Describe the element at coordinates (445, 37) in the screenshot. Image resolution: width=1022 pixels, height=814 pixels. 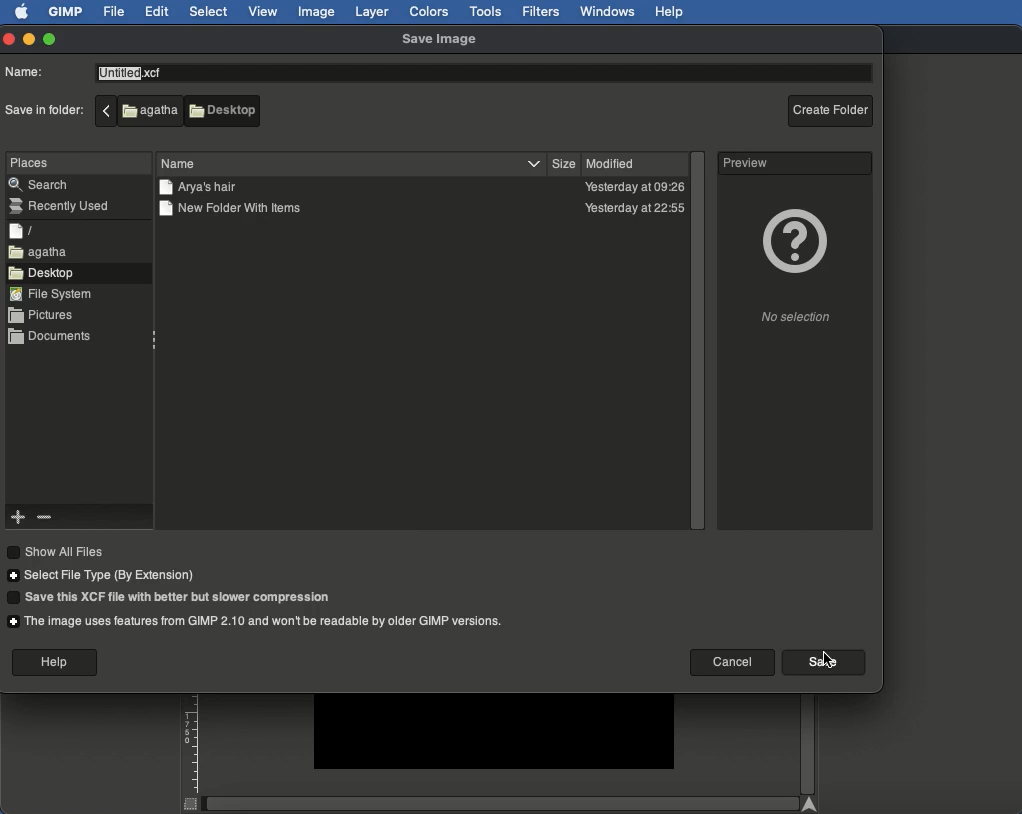
I see `Save image` at that location.